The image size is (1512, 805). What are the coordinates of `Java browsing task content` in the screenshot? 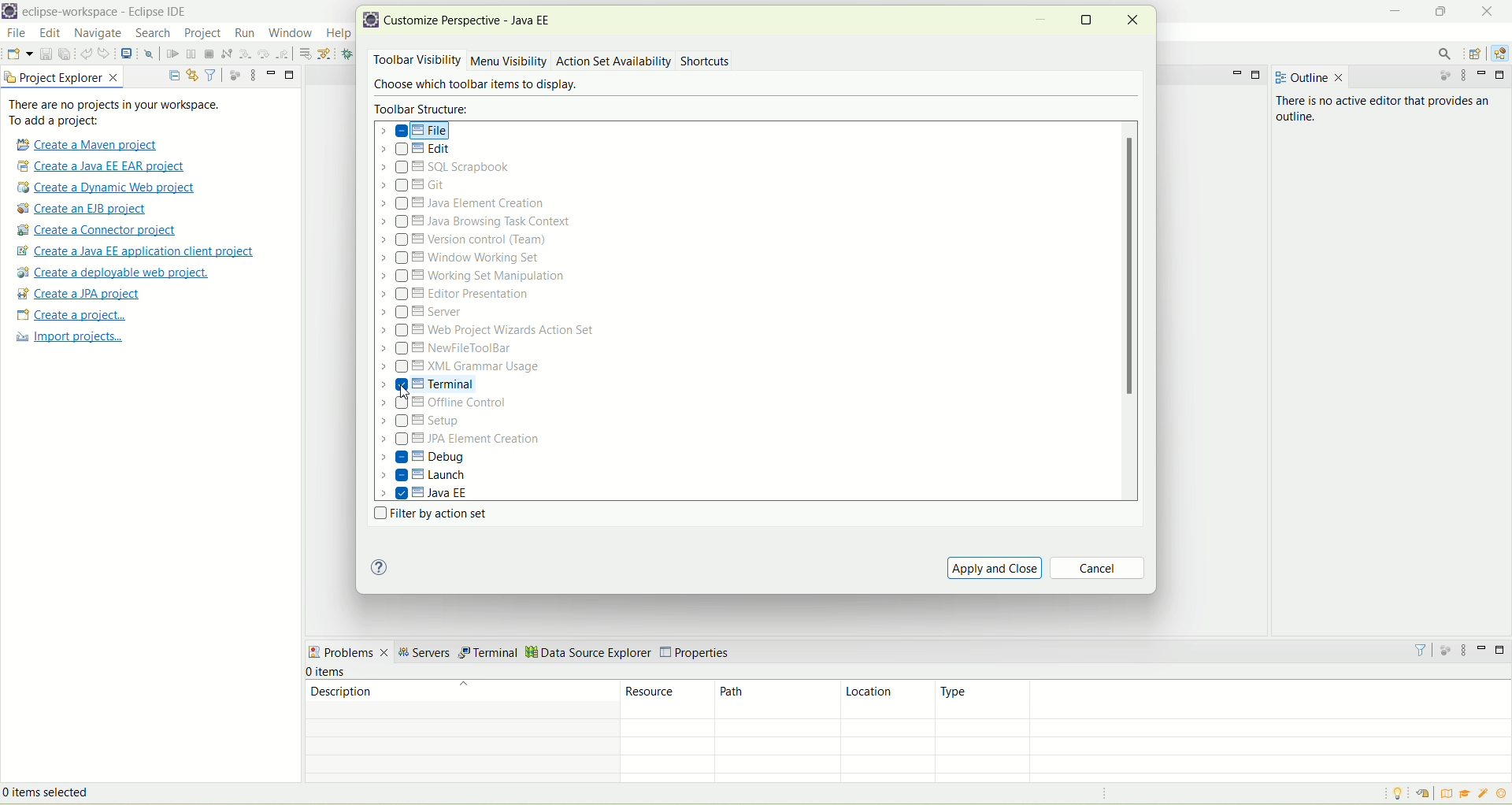 It's located at (476, 221).